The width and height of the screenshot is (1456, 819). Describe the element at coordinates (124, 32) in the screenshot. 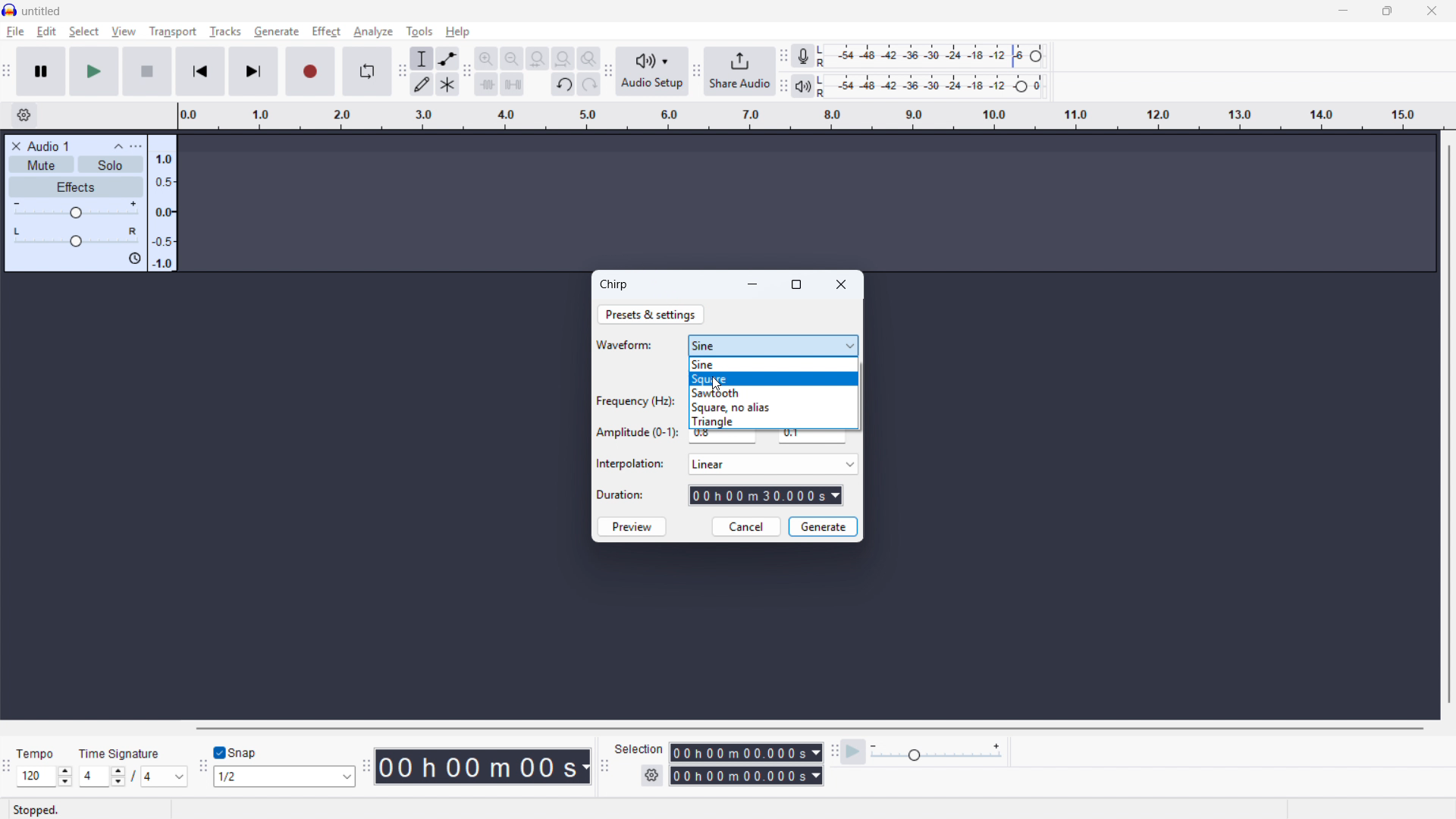

I see `view ` at that location.